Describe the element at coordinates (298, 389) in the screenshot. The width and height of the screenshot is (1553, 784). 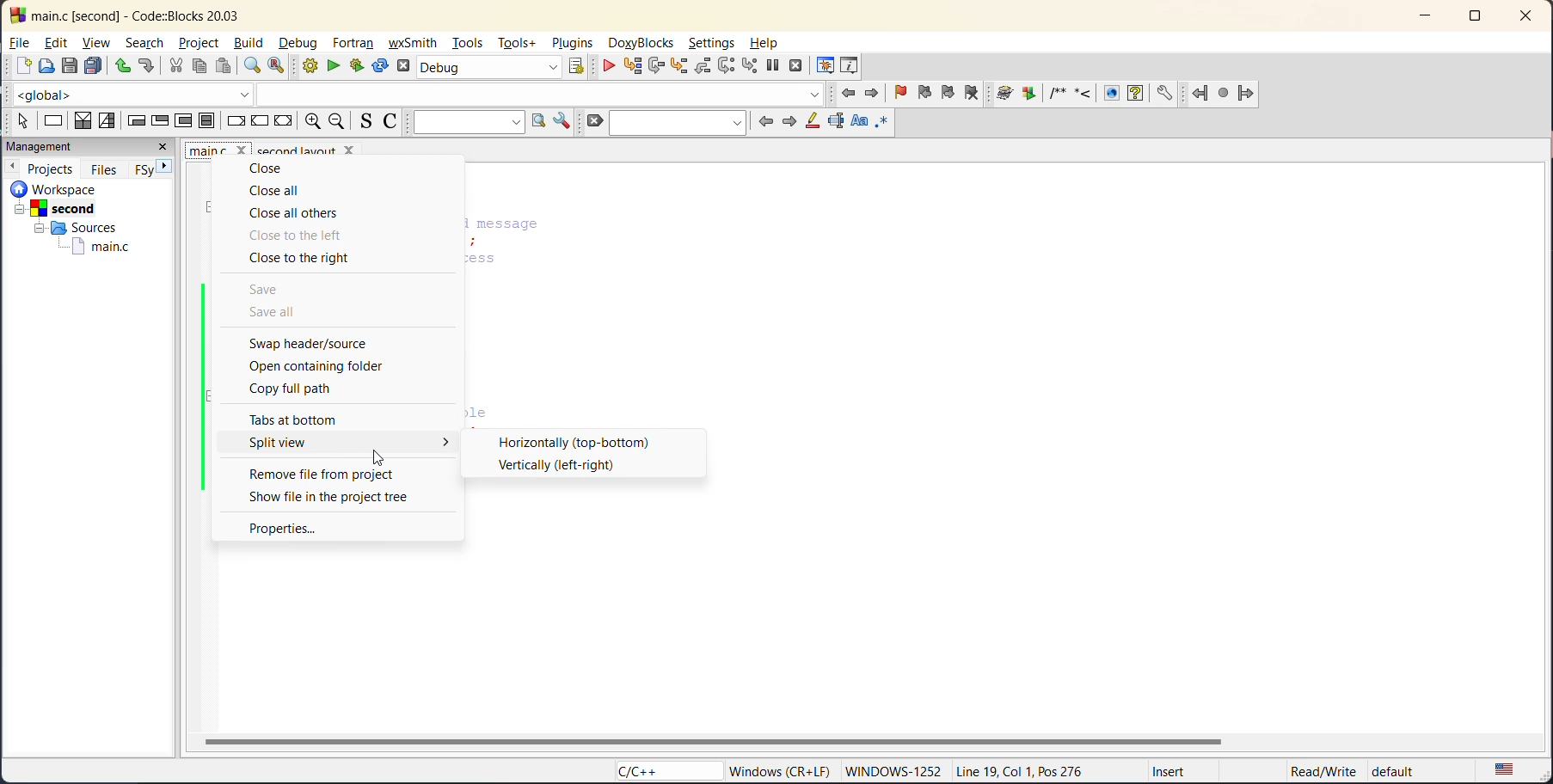
I see `copy full path` at that location.